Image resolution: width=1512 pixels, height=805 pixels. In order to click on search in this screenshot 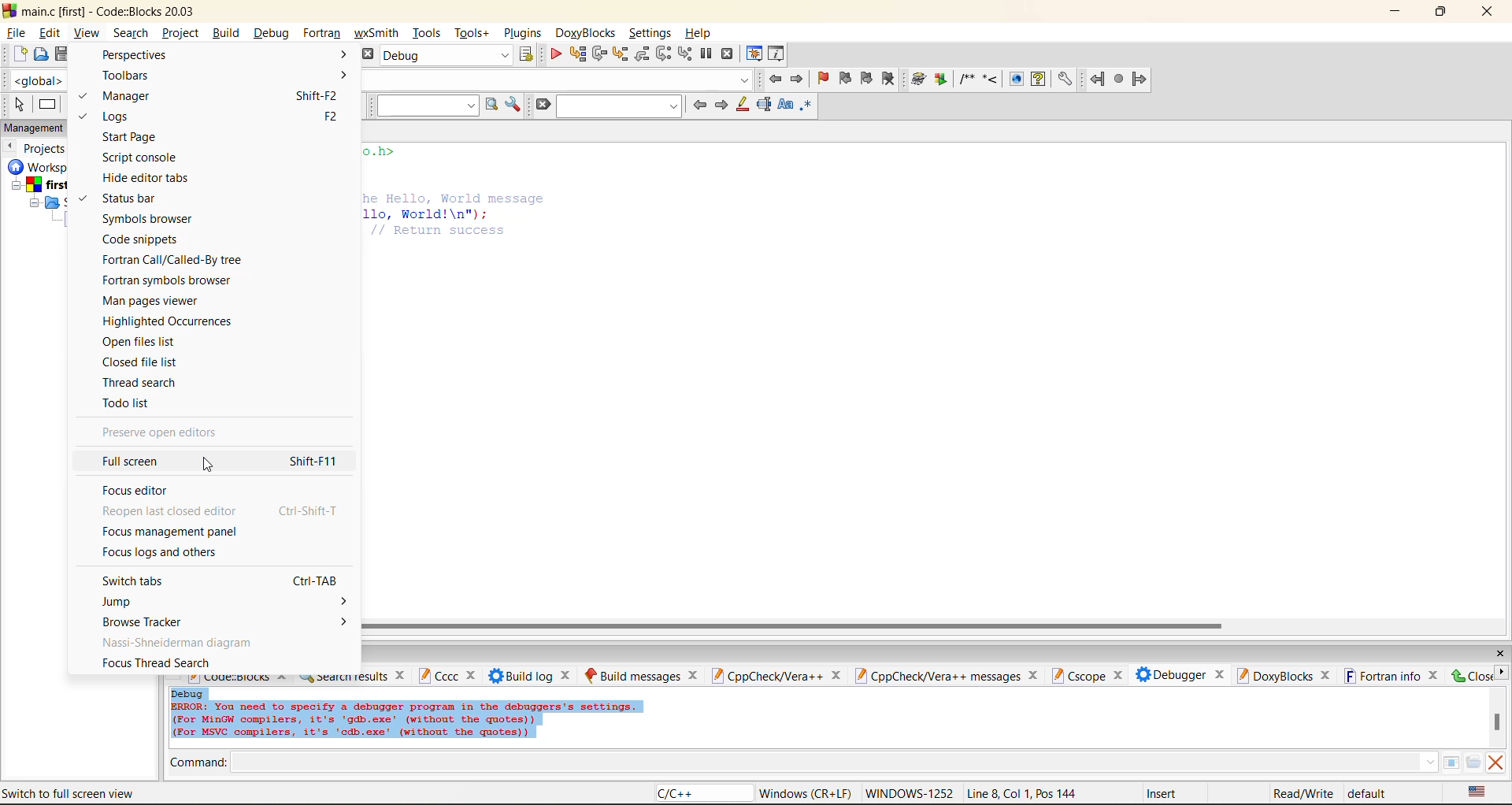, I will do `click(131, 32)`.